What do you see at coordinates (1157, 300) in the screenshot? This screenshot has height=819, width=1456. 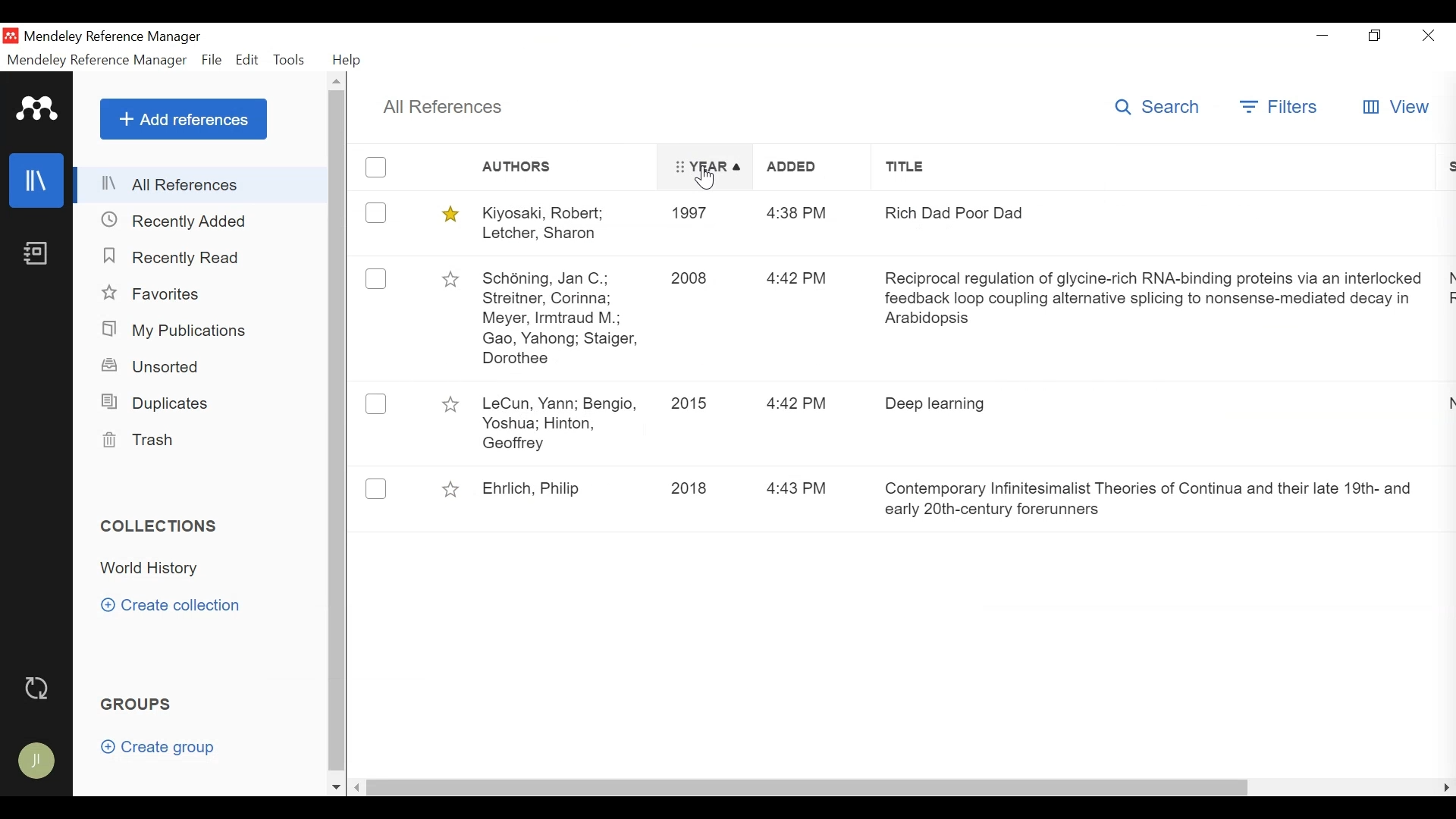 I see `Reciprocal regulation of glycine-rich RNA-binding proteins via an interlocked feedback loop coupling alternative splicing to nonsense-mediated decay in Arabidopsis` at bounding box center [1157, 300].